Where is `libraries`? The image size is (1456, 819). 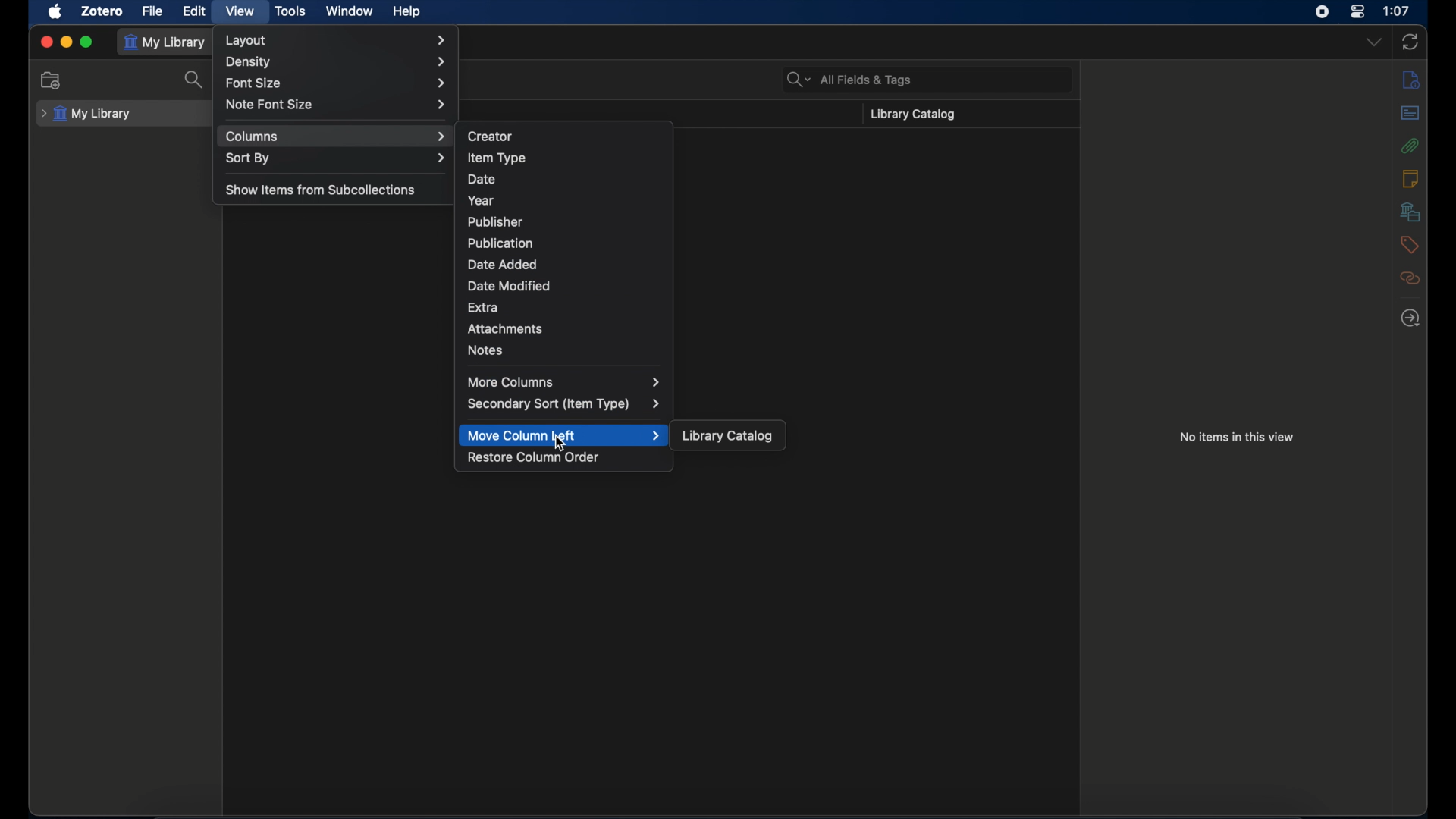 libraries is located at coordinates (1410, 211).